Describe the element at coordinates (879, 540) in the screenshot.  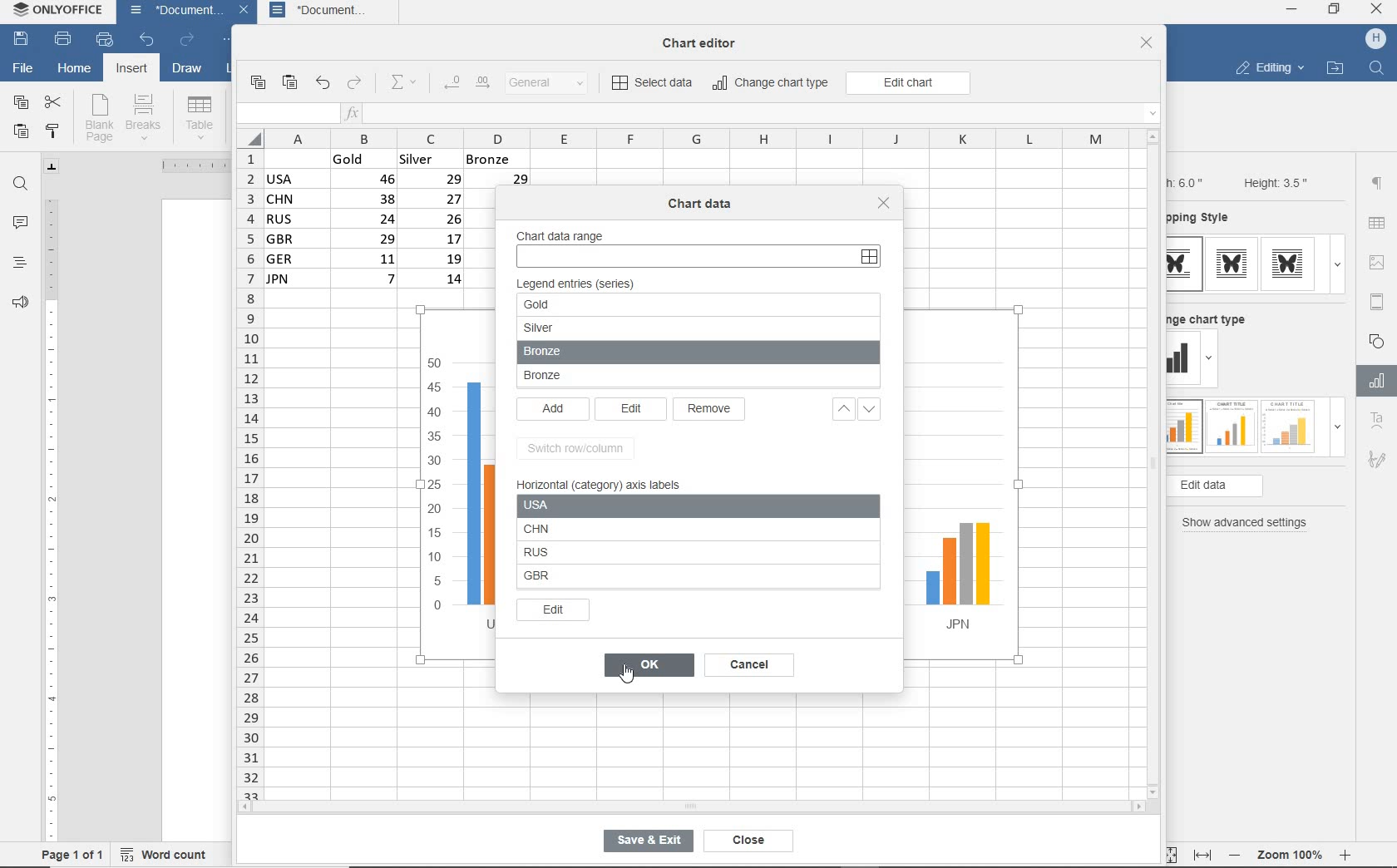
I see `scroll bar` at that location.